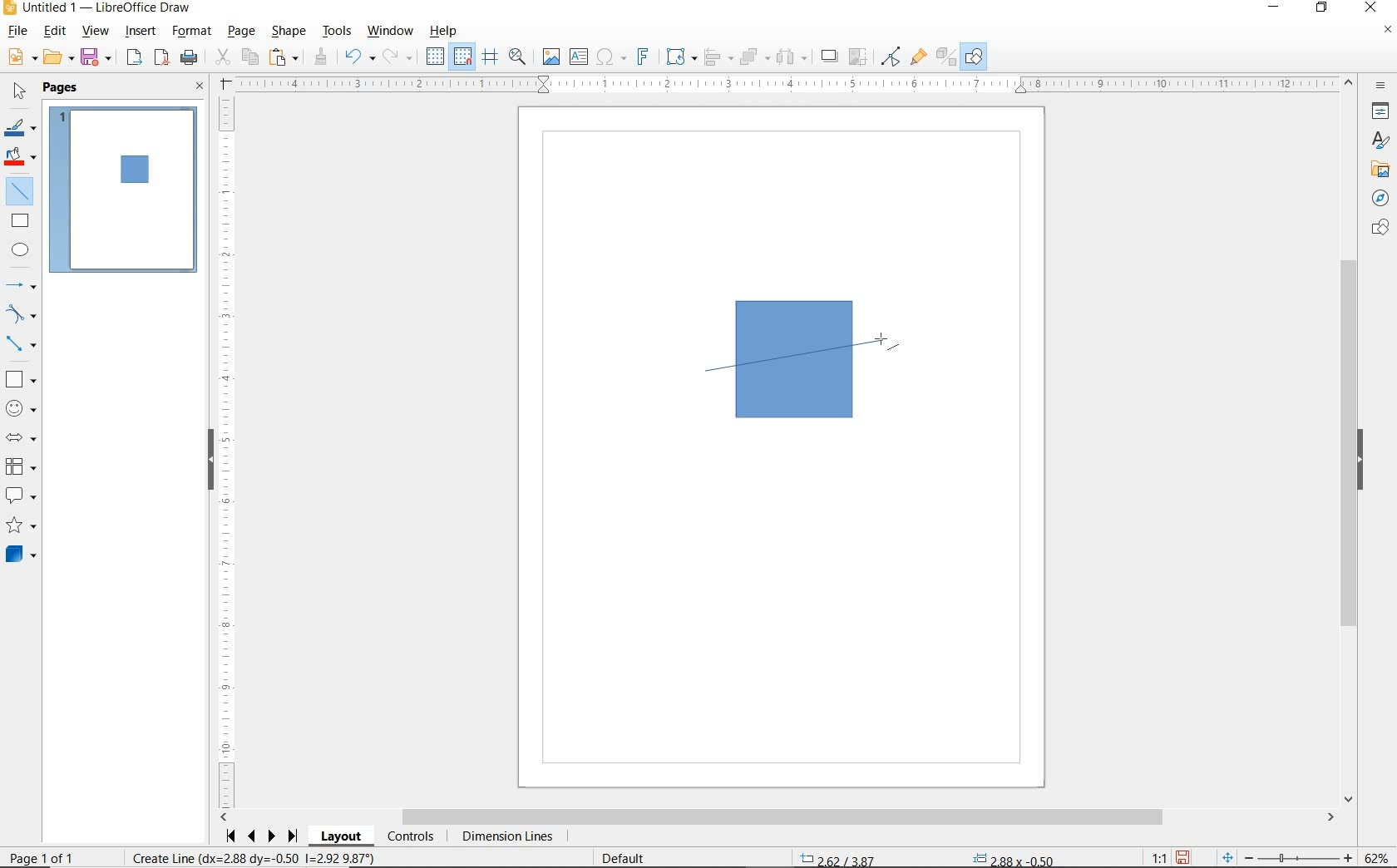 This screenshot has height=868, width=1397. Describe the element at coordinates (16, 32) in the screenshot. I see `FILE` at that location.